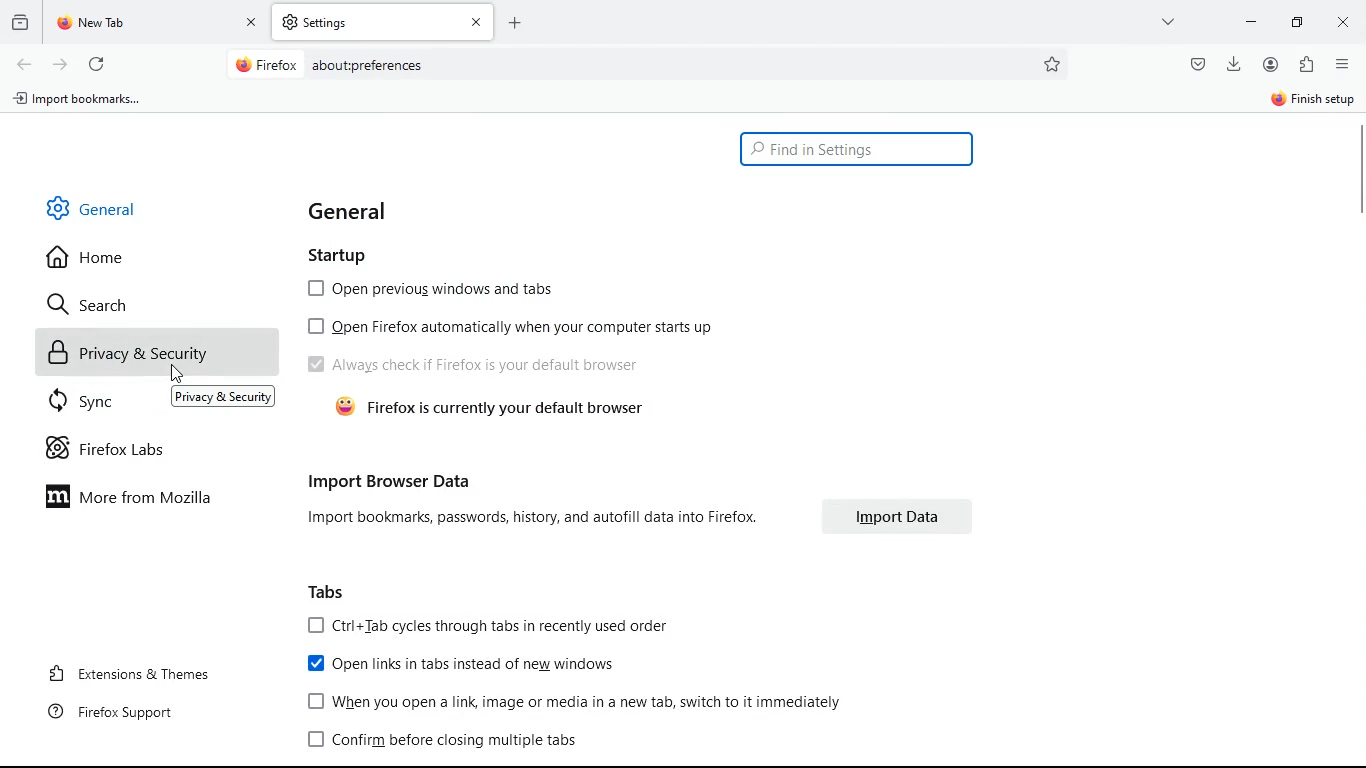 The width and height of the screenshot is (1366, 768). I want to click on close, so click(1346, 24).